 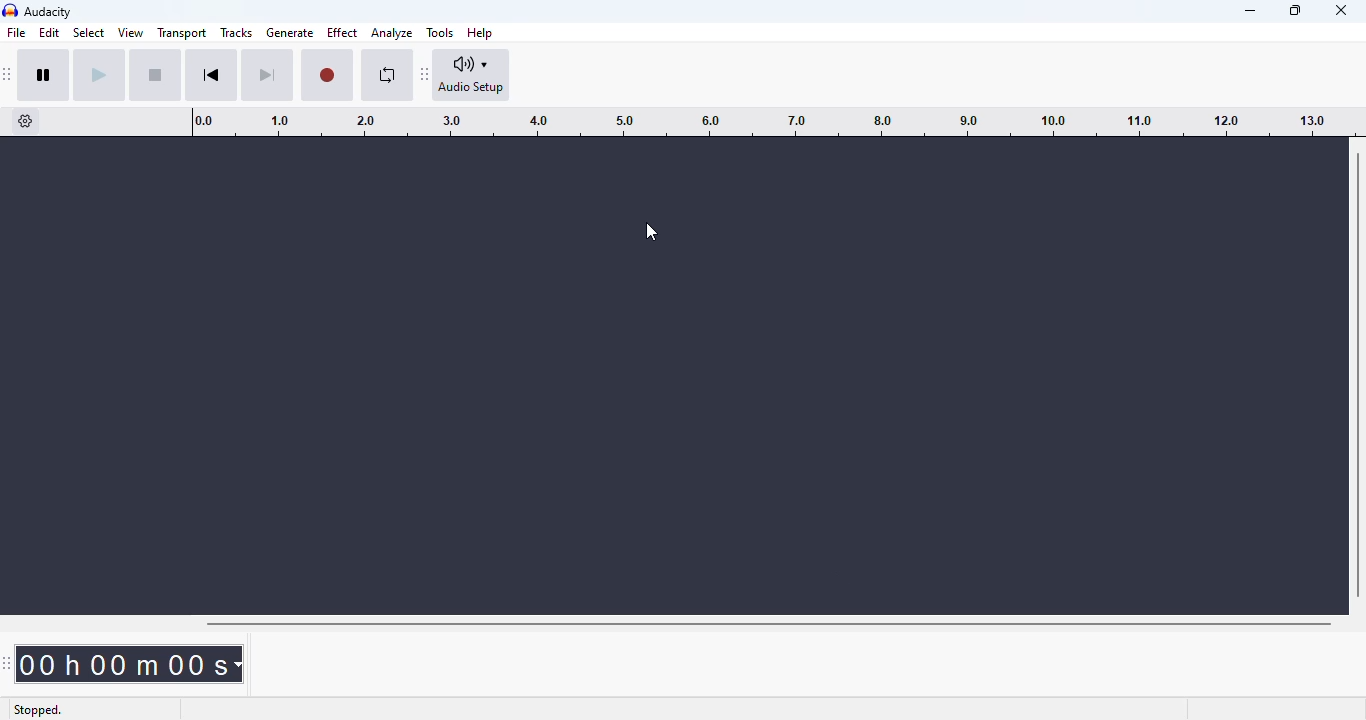 I want to click on skip to start, so click(x=211, y=75).